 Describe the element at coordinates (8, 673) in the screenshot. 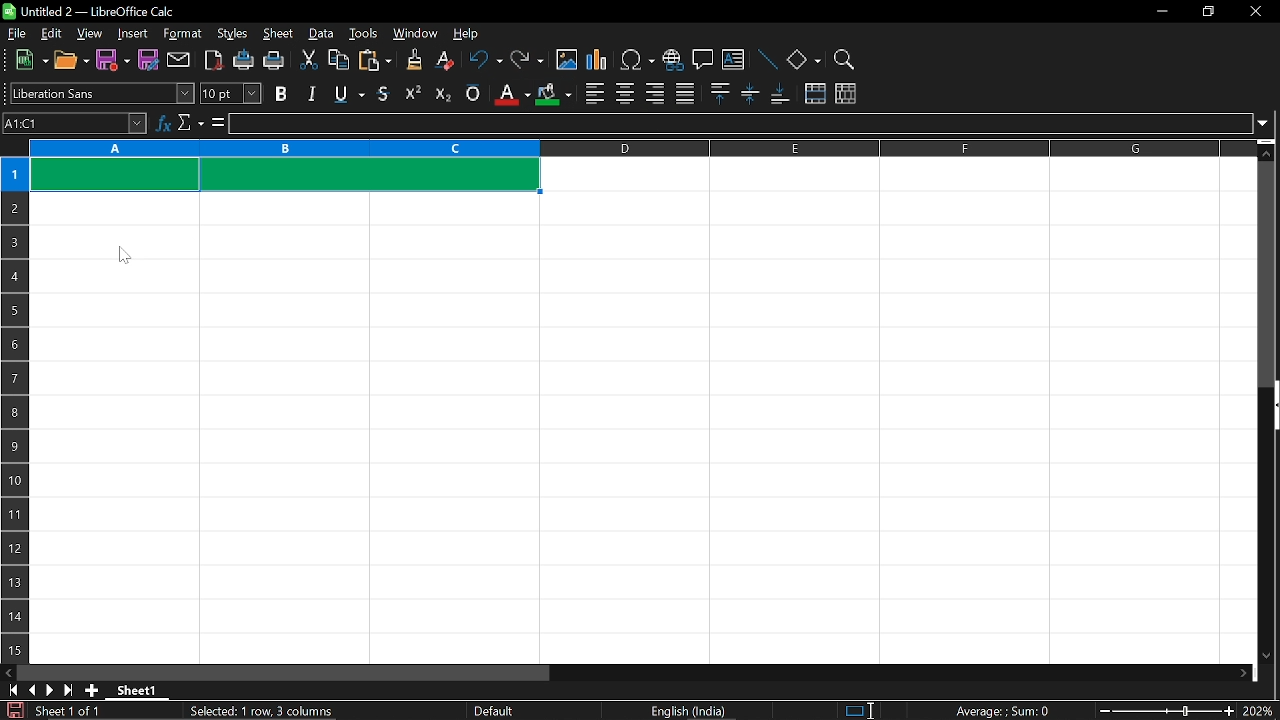

I see `move left` at that location.